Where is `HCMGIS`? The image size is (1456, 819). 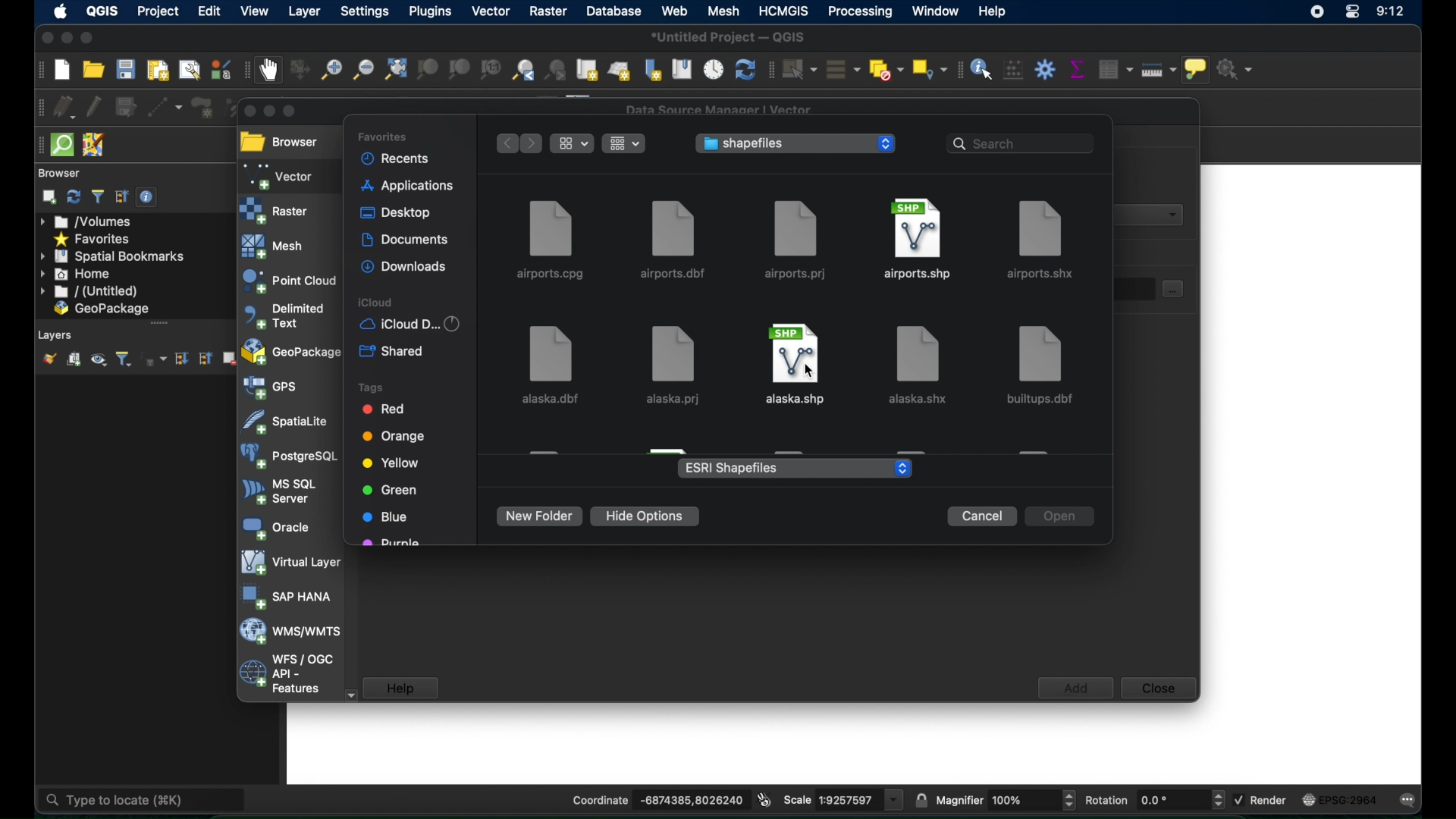
HCMGIS is located at coordinates (785, 11).